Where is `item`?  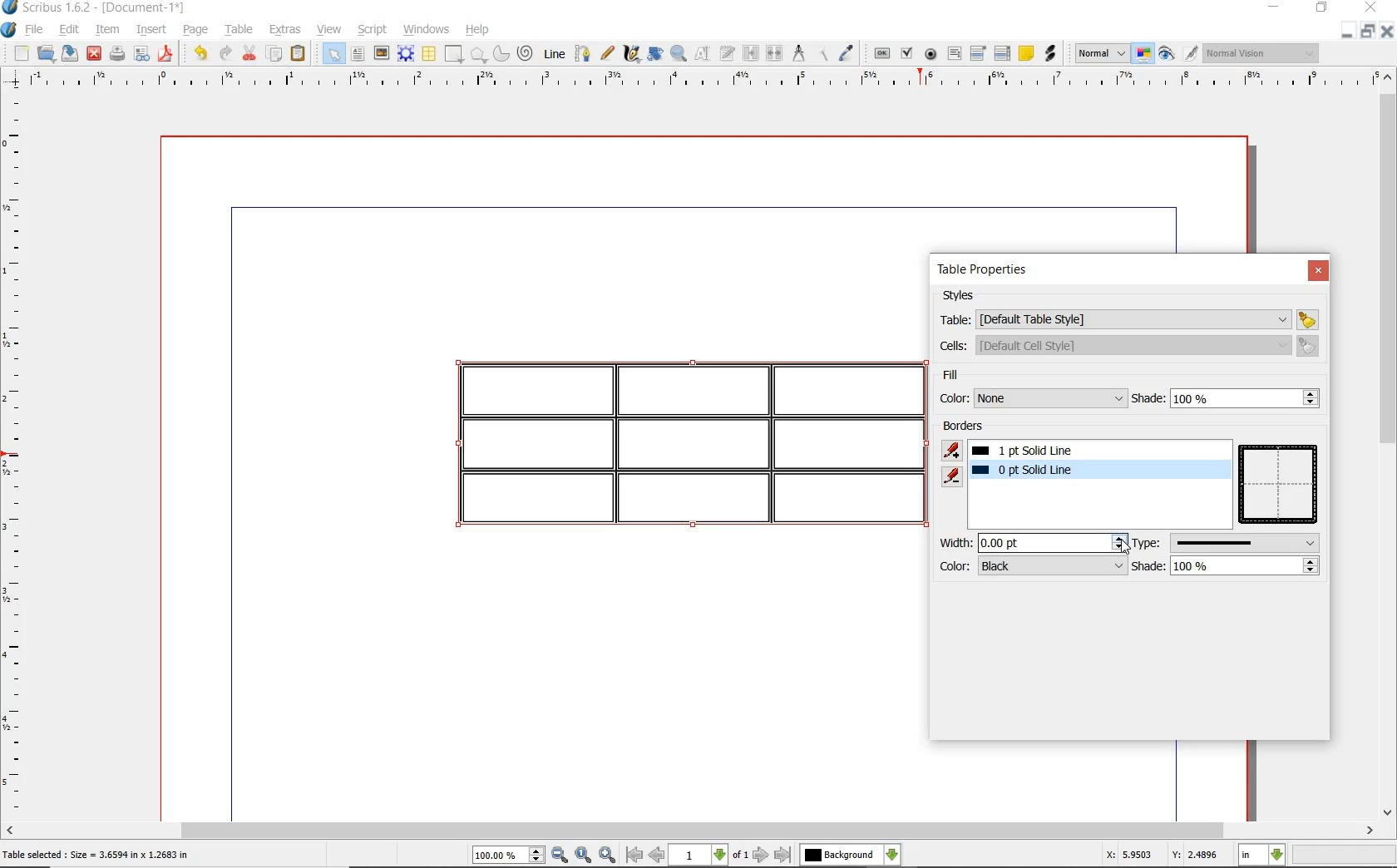
item is located at coordinates (106, 31).